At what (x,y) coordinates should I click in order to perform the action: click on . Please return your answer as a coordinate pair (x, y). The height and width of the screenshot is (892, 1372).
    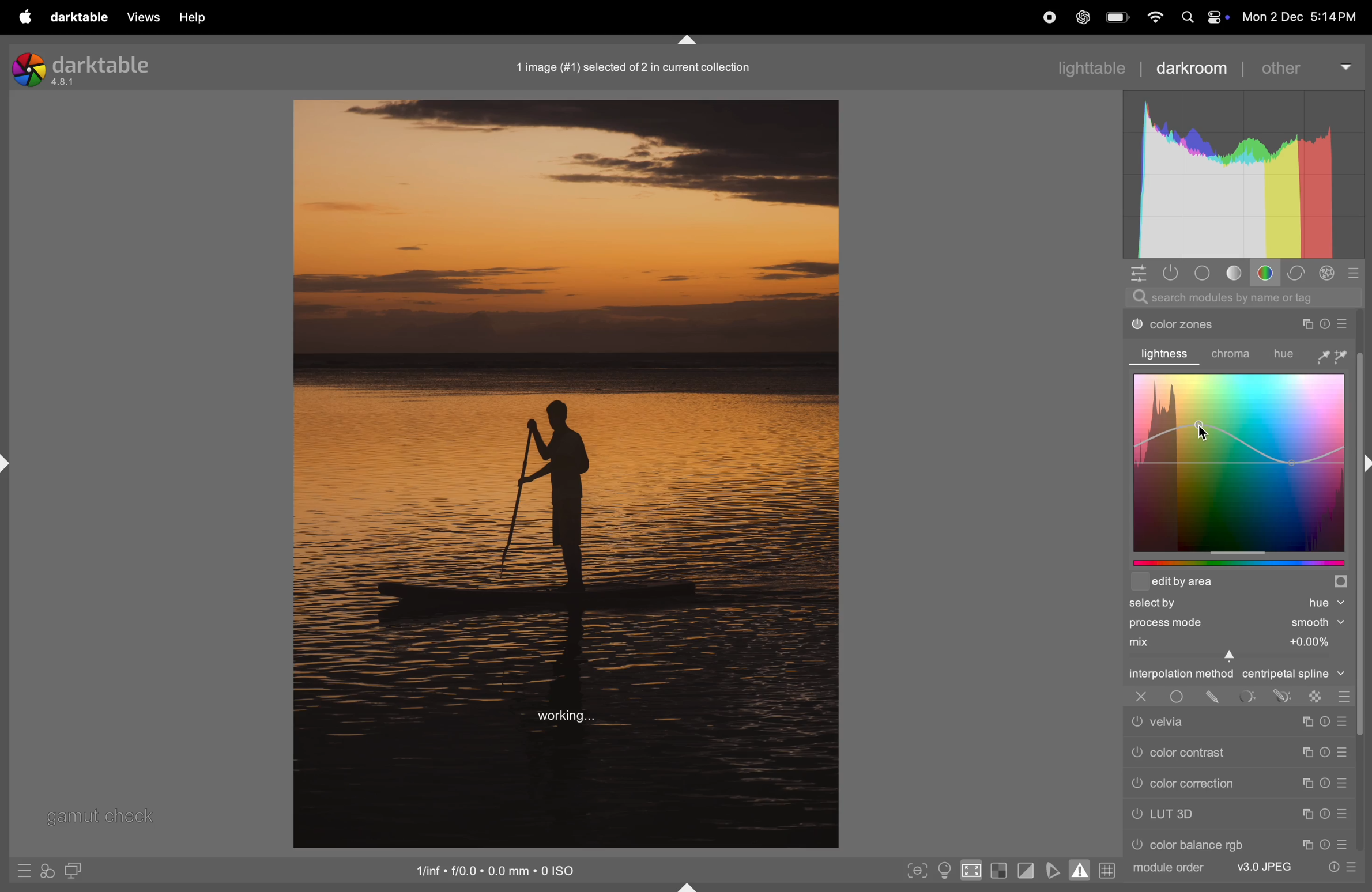
    Looking at the image, I should click on (1143, 695).